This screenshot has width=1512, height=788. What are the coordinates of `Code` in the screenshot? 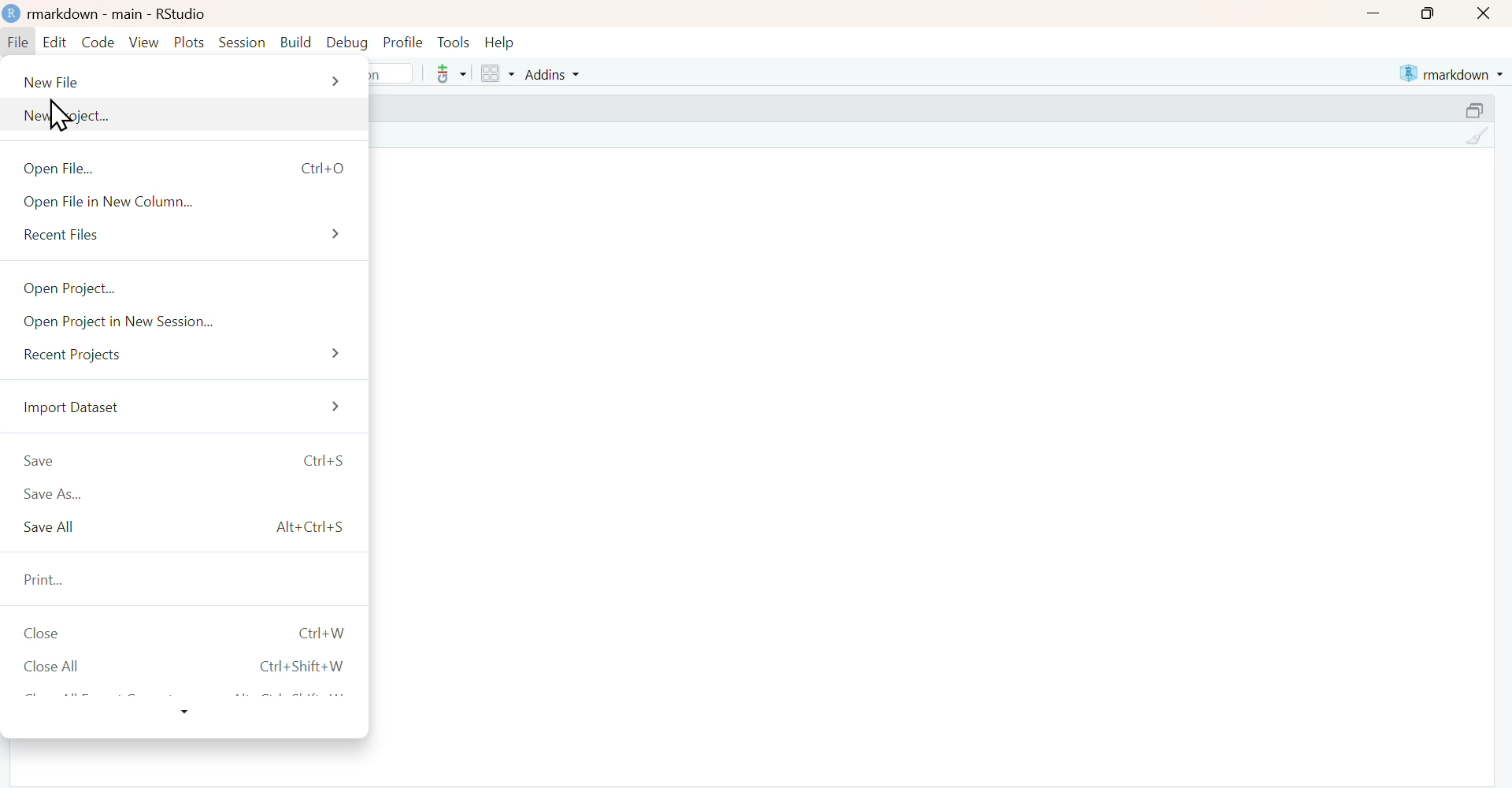 It's located at (98, 43).